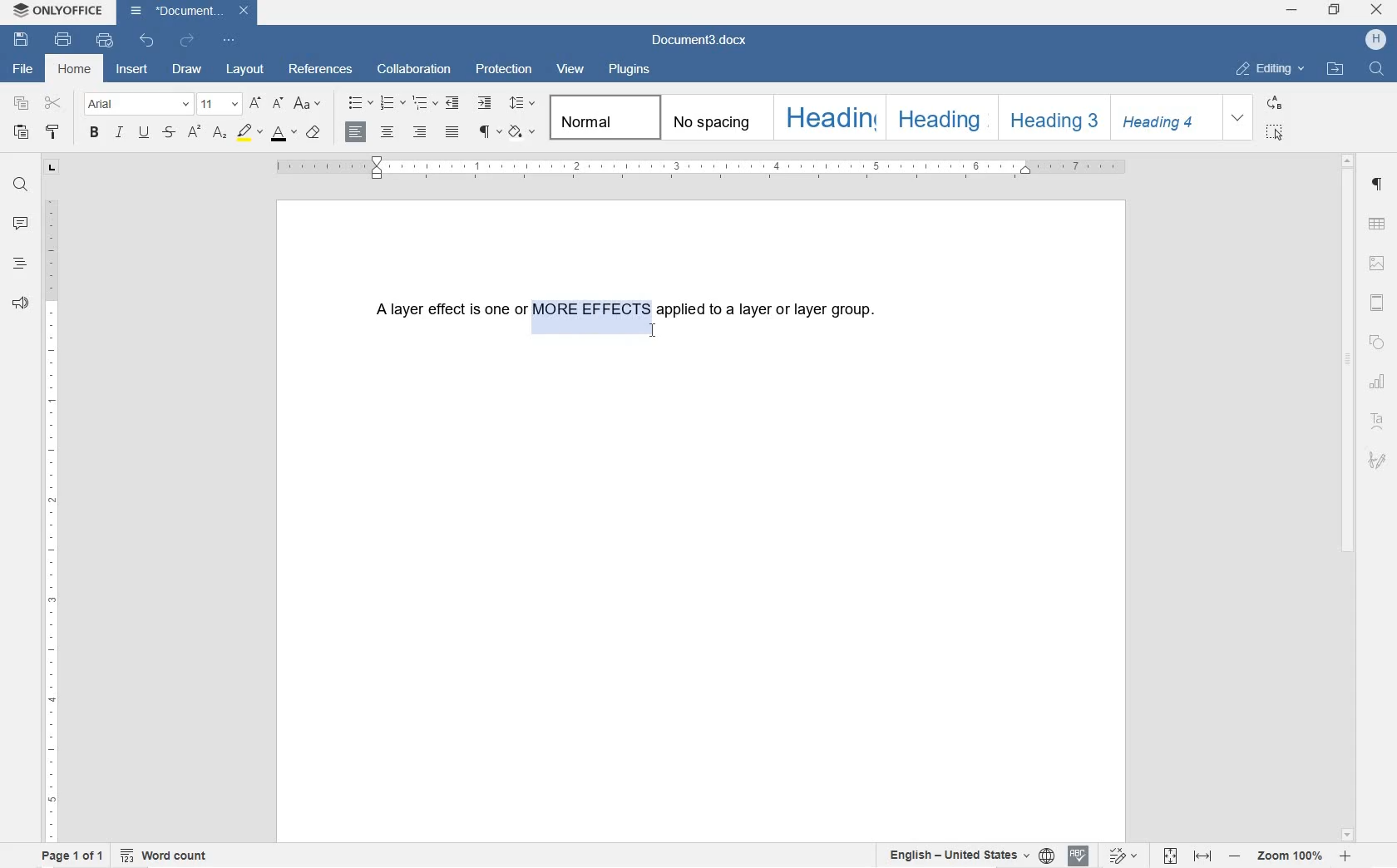 Image resolution: width=1397 pixels, height=868 pixels. I want to click on SHAPE, so click(1378, 343).